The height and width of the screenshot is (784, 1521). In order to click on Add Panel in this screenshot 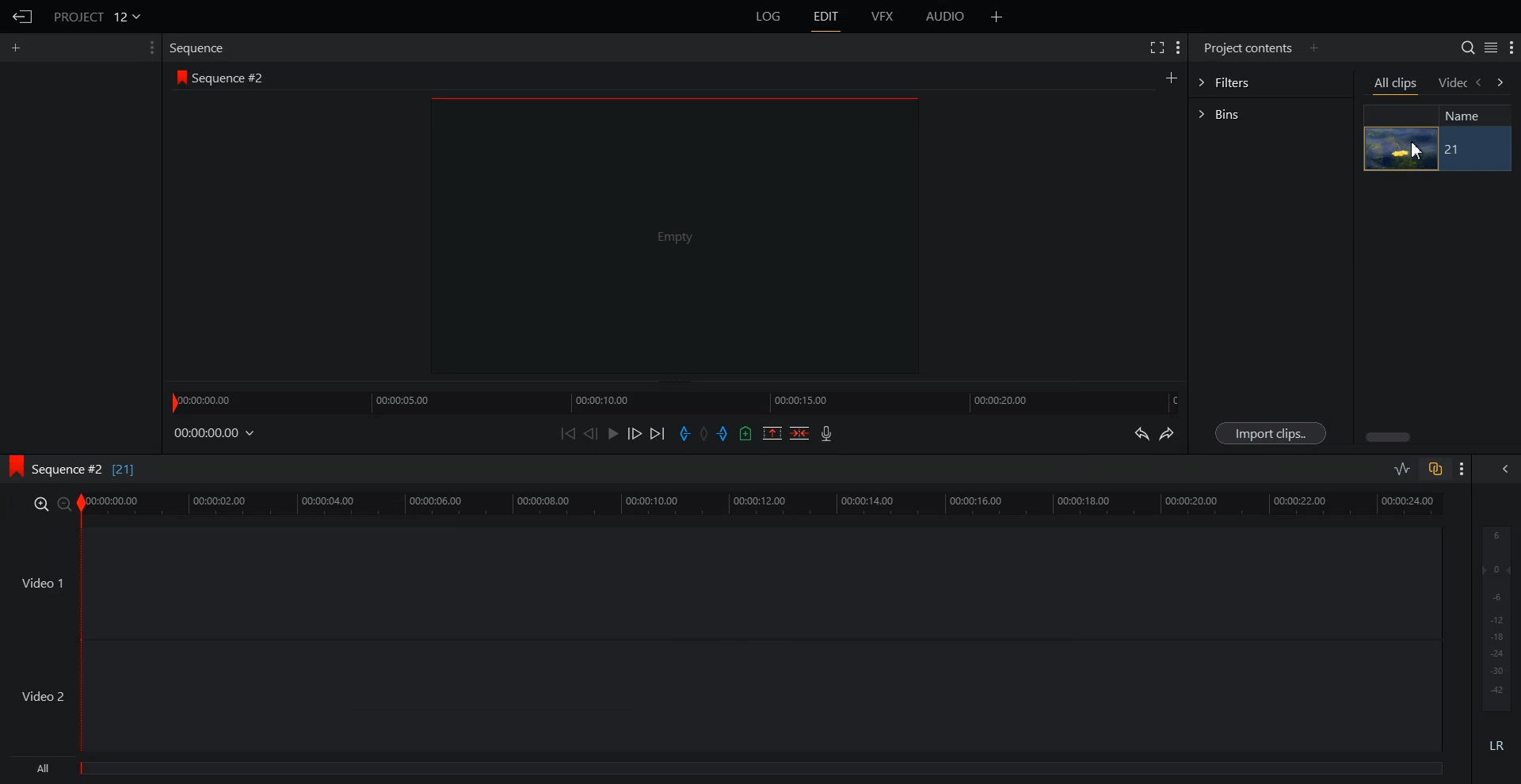, I will do `click(1316, 48)`.